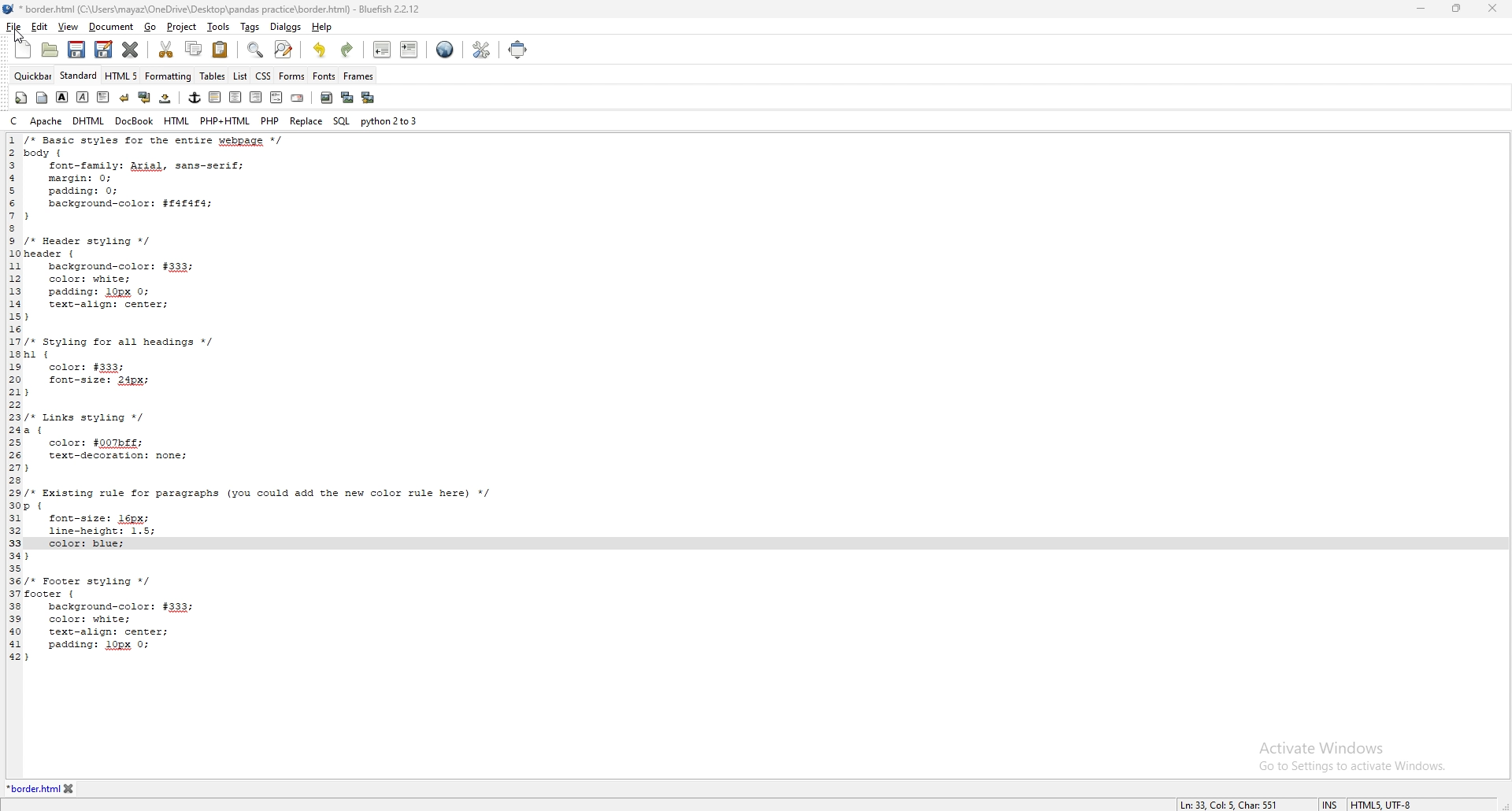  I want to click on html, so click(176, 122).